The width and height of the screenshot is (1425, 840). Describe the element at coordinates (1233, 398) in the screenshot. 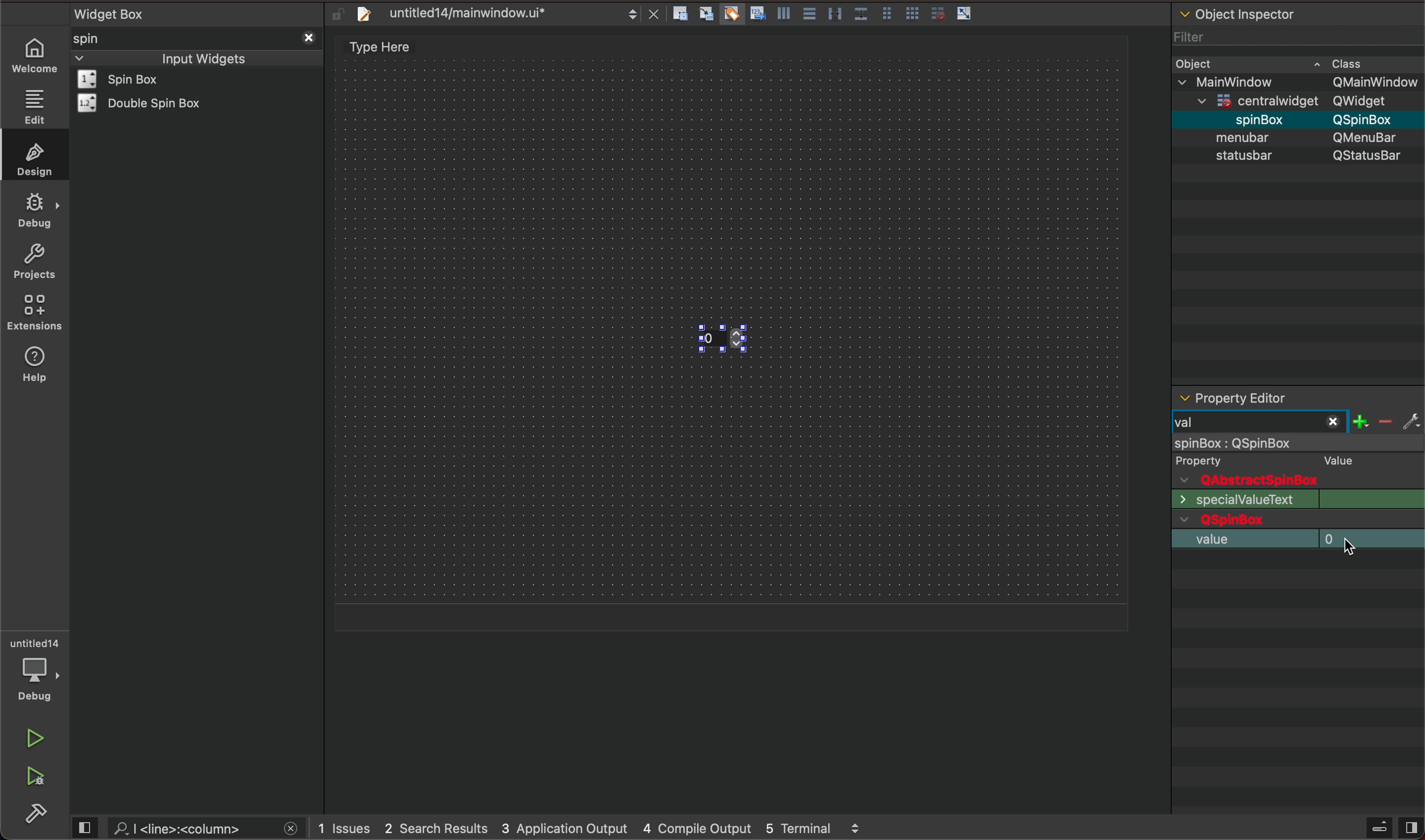

I see `editor` at that location.